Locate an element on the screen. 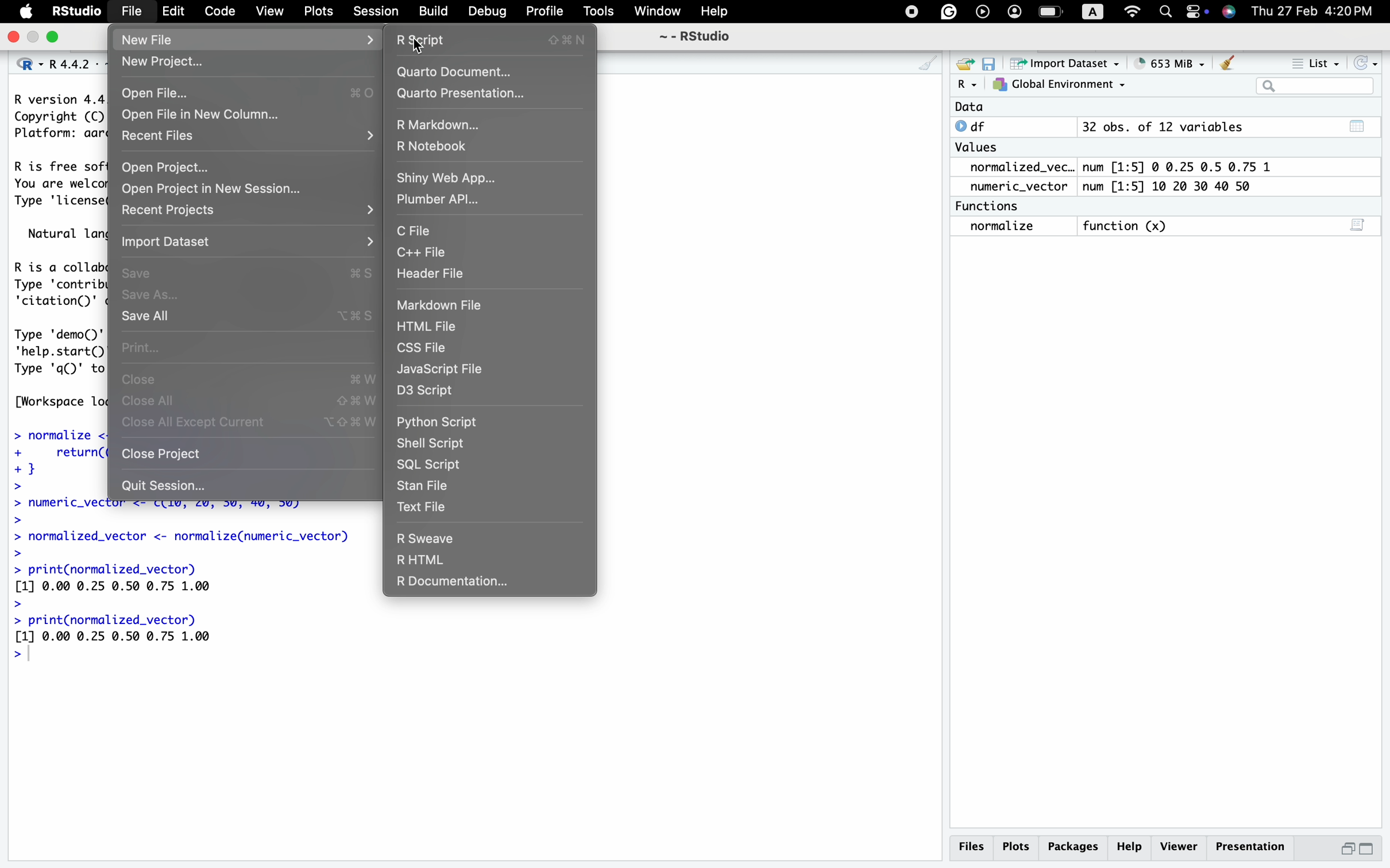  32 obs. of 12 variables is located at coordinates (1162, 128).